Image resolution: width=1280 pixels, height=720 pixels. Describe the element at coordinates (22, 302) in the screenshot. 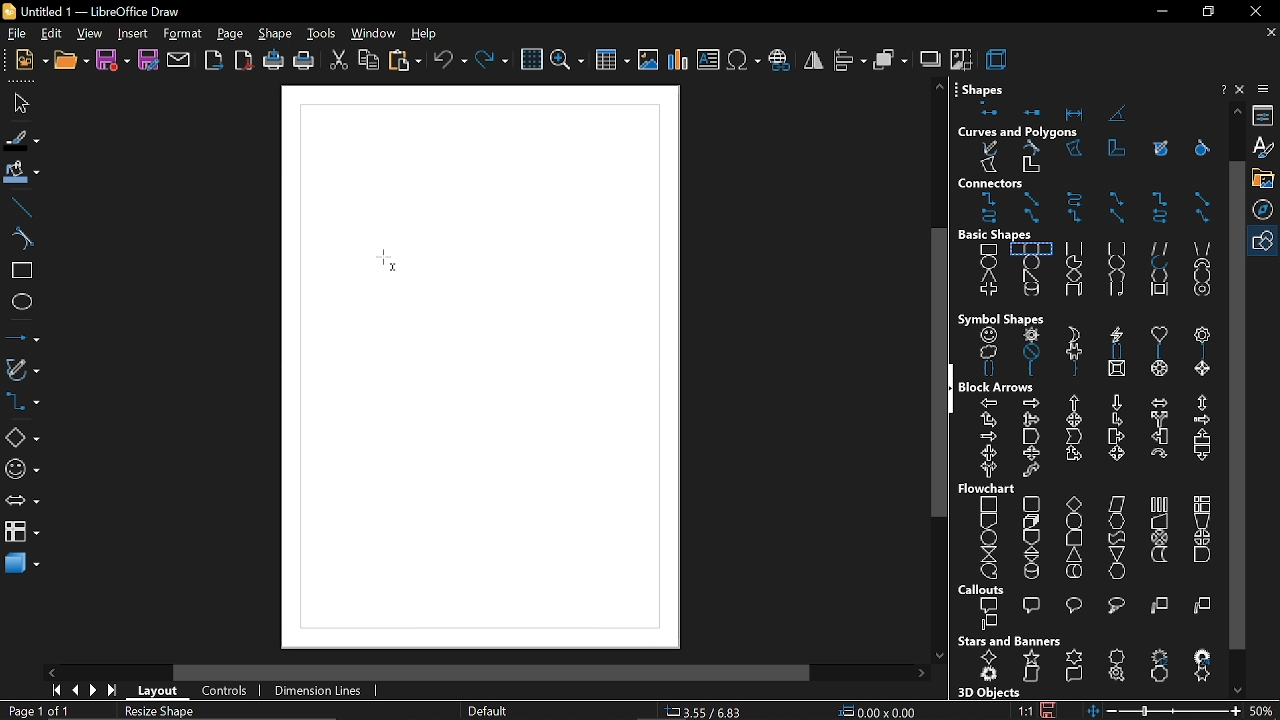

I see `ellipse` at that location.